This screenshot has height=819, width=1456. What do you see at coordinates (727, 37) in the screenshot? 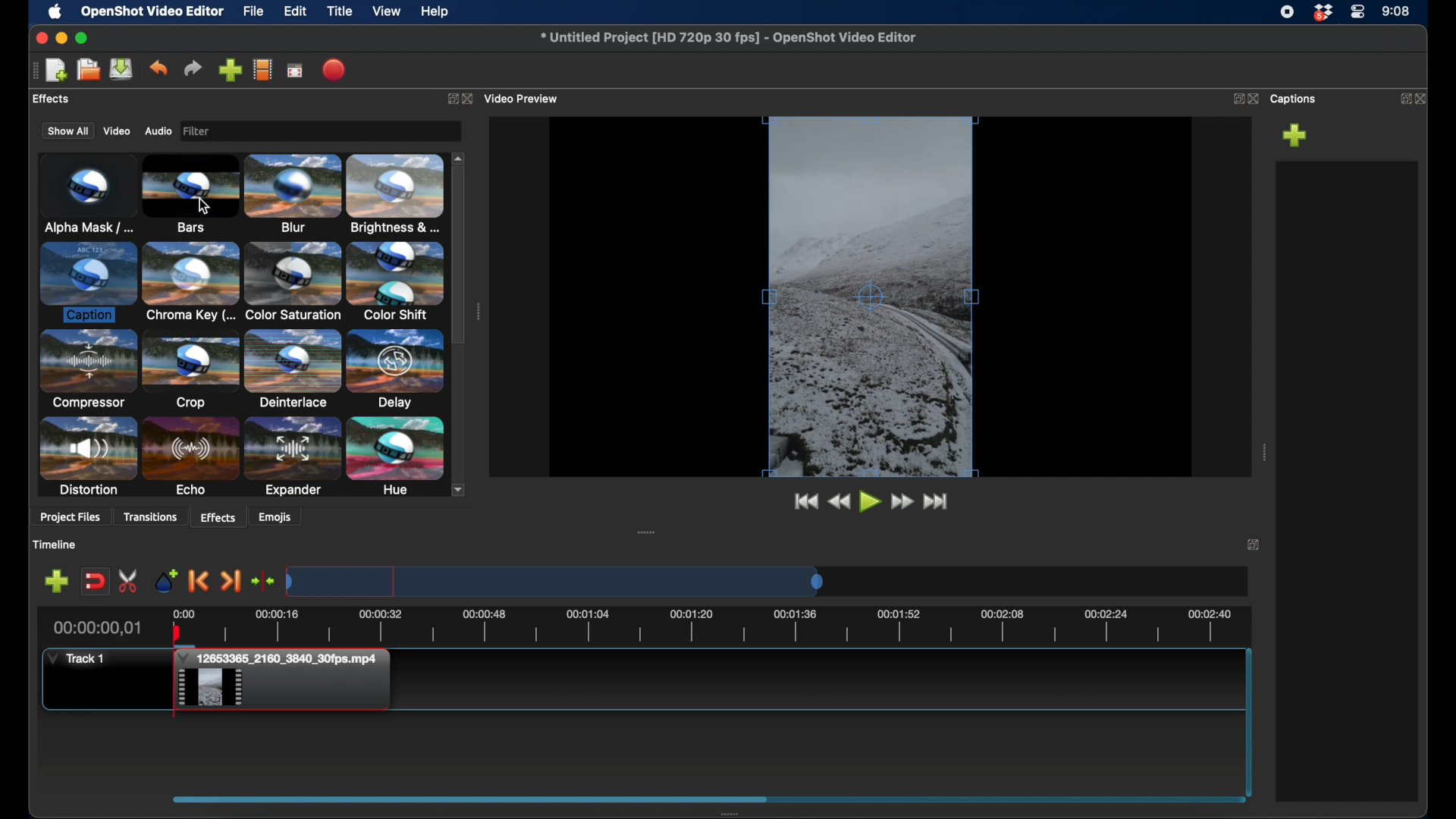
I see `filename` at bounding box center [727, 37].